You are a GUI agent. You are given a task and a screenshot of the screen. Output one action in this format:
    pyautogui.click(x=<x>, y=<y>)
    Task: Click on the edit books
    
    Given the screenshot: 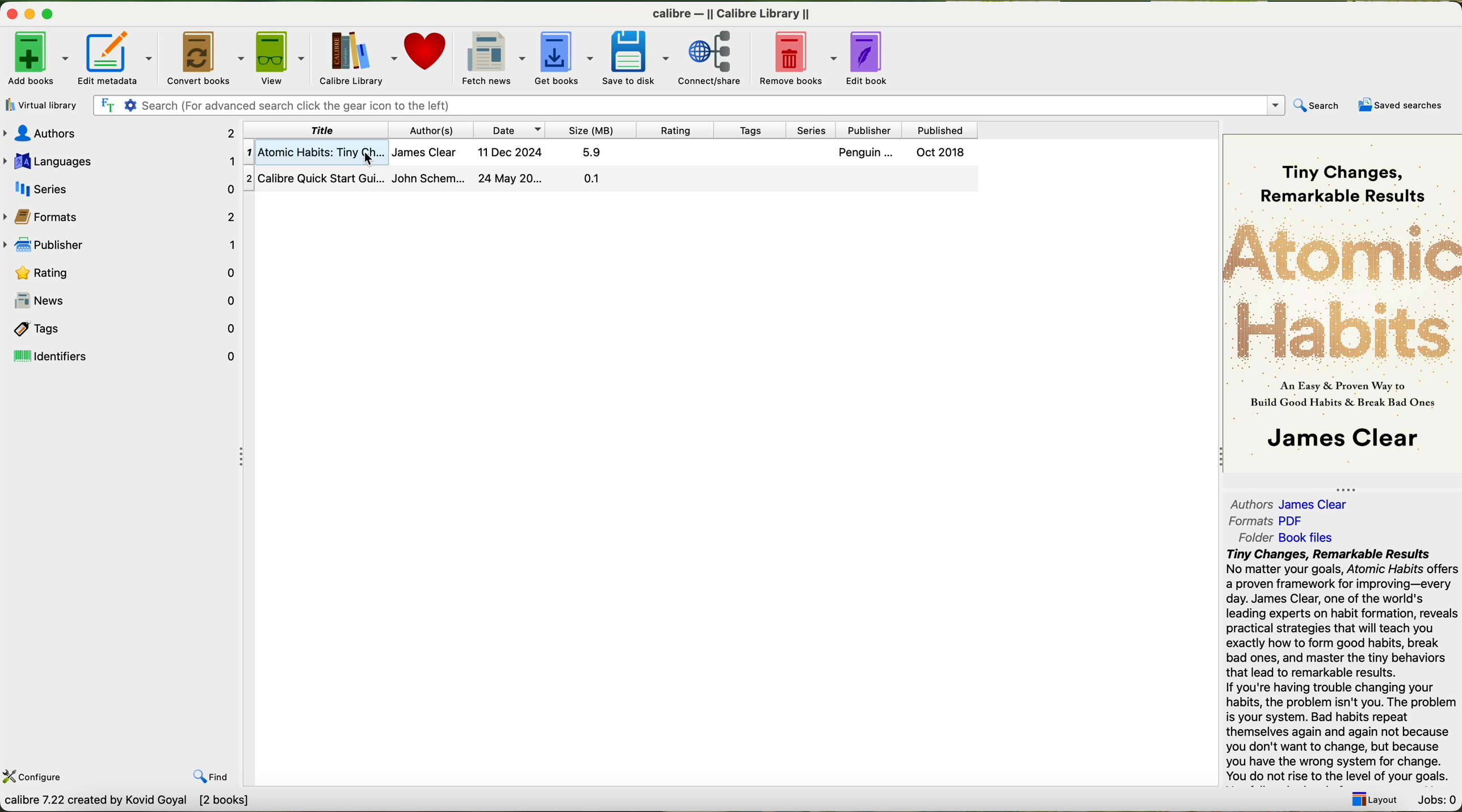 What is the action you would take?
    pyautogui.click(x=870, y=59)
    